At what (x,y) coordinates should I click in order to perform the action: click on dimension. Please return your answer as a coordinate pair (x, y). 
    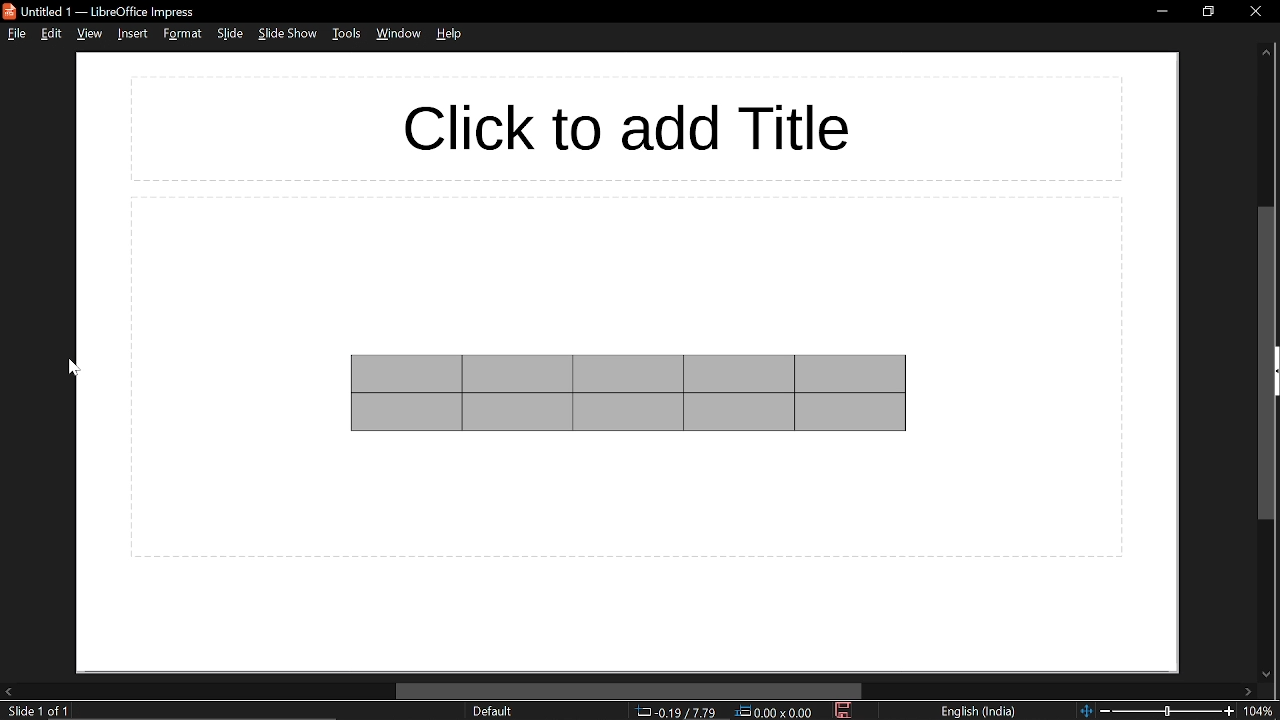
    Looking at the image, I should click on (777, 712).